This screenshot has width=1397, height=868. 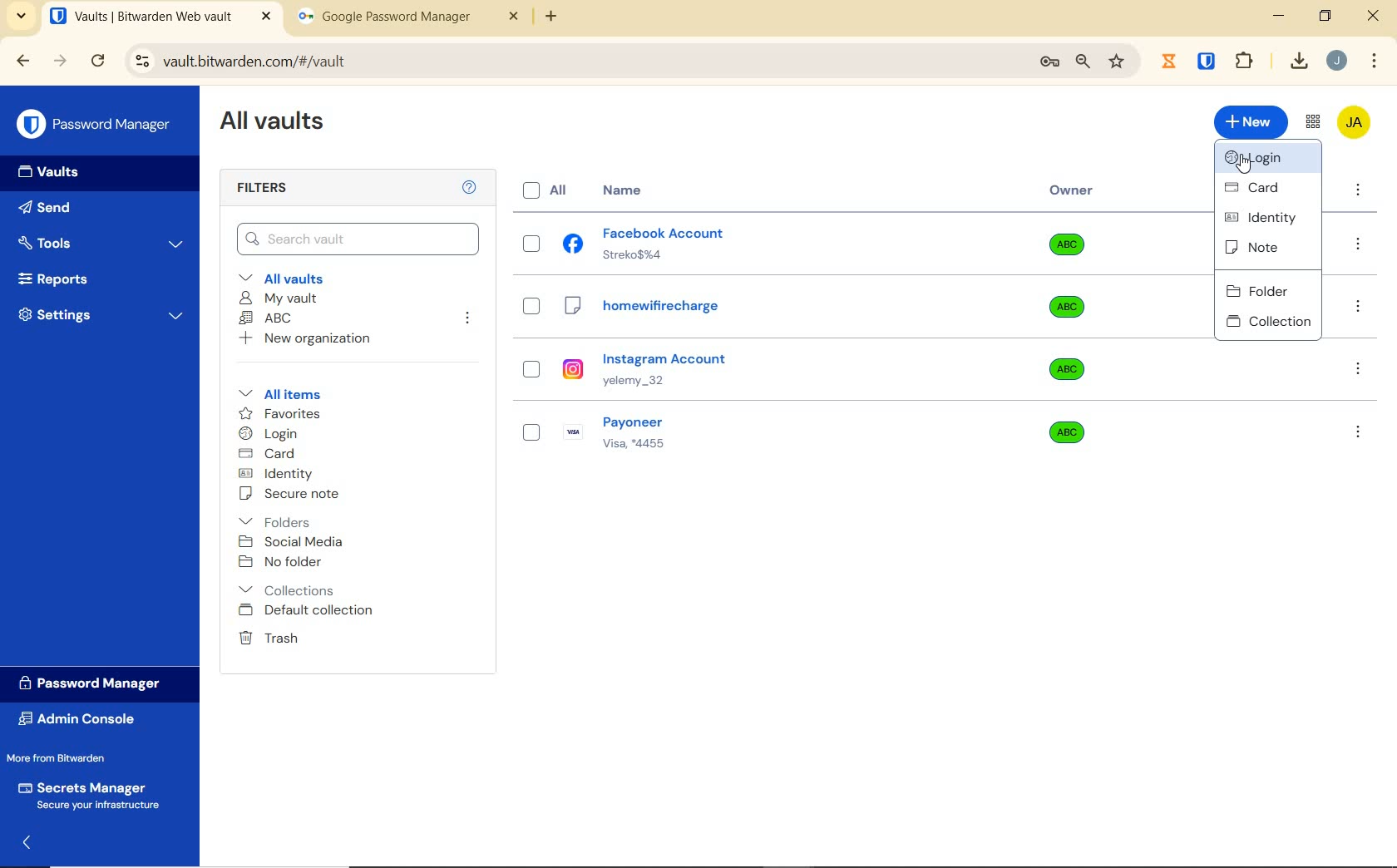 What do you see at coordinates (1072, 190) in the screenshot?
I see `Owner` at bounding box center [1072, 190].